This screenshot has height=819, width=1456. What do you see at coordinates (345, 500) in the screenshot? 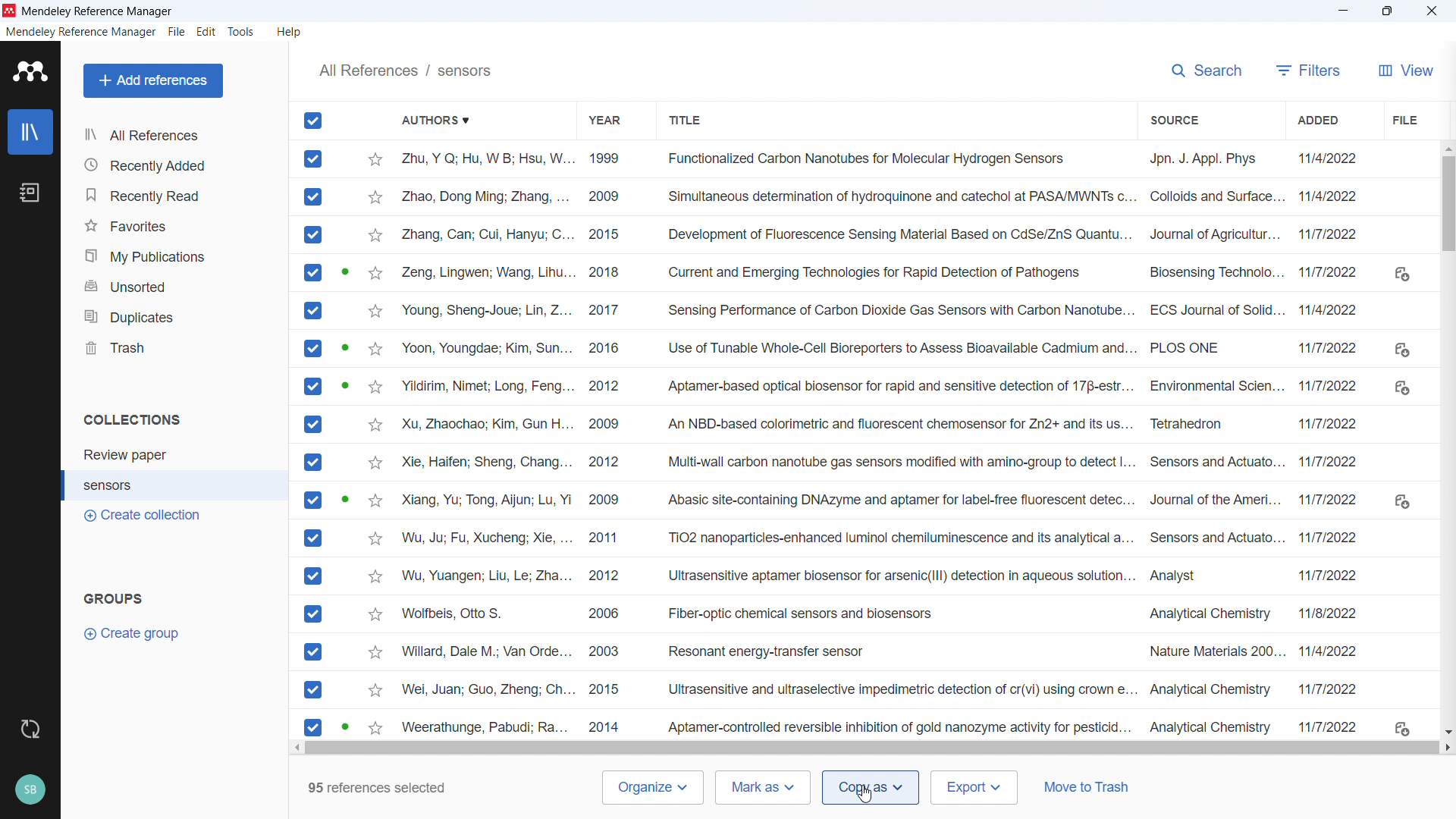
I see `PDF available` at bounding box center [345, 500].